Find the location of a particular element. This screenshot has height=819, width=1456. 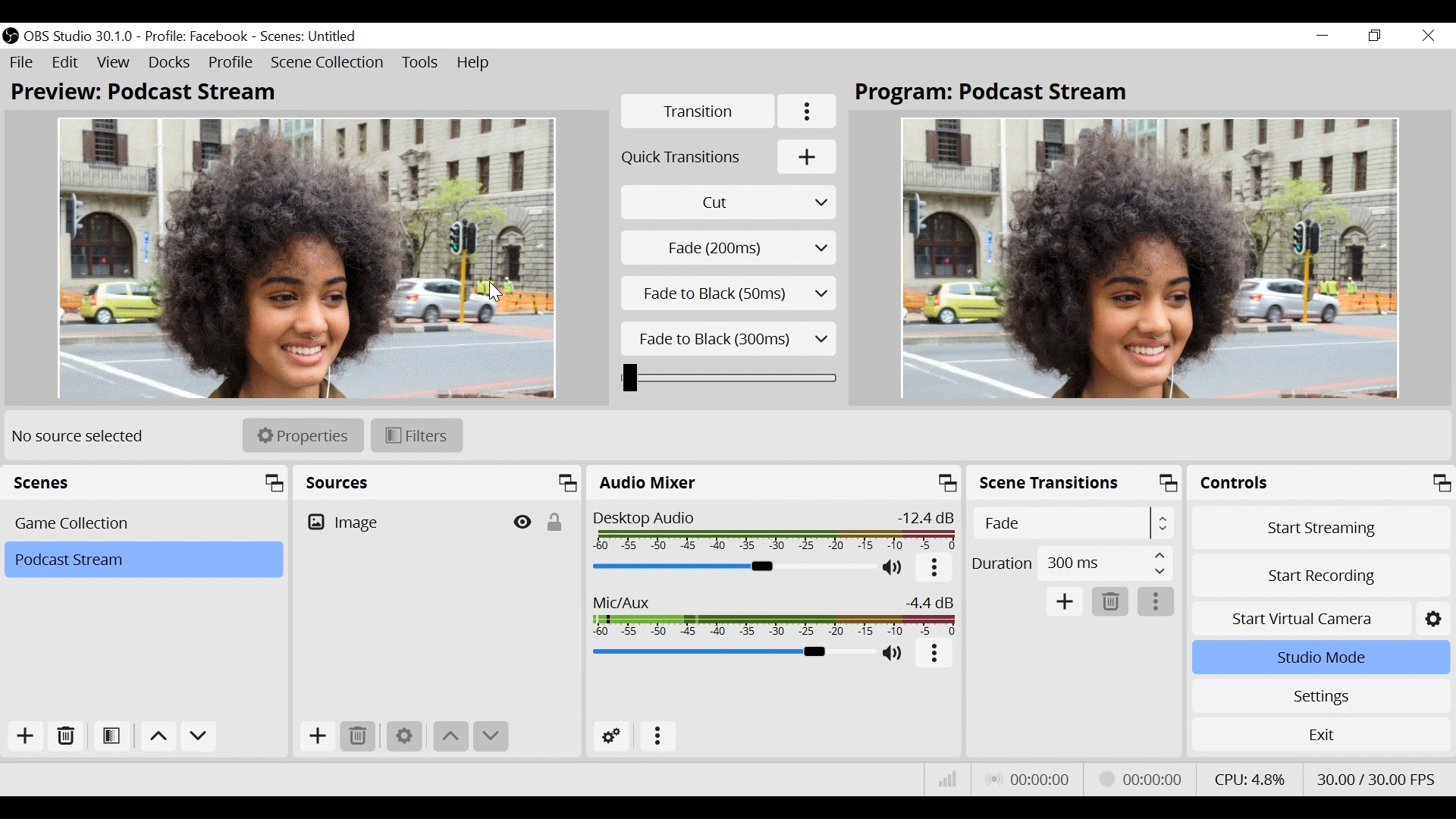

Remove is located at coordinates (64, 736).